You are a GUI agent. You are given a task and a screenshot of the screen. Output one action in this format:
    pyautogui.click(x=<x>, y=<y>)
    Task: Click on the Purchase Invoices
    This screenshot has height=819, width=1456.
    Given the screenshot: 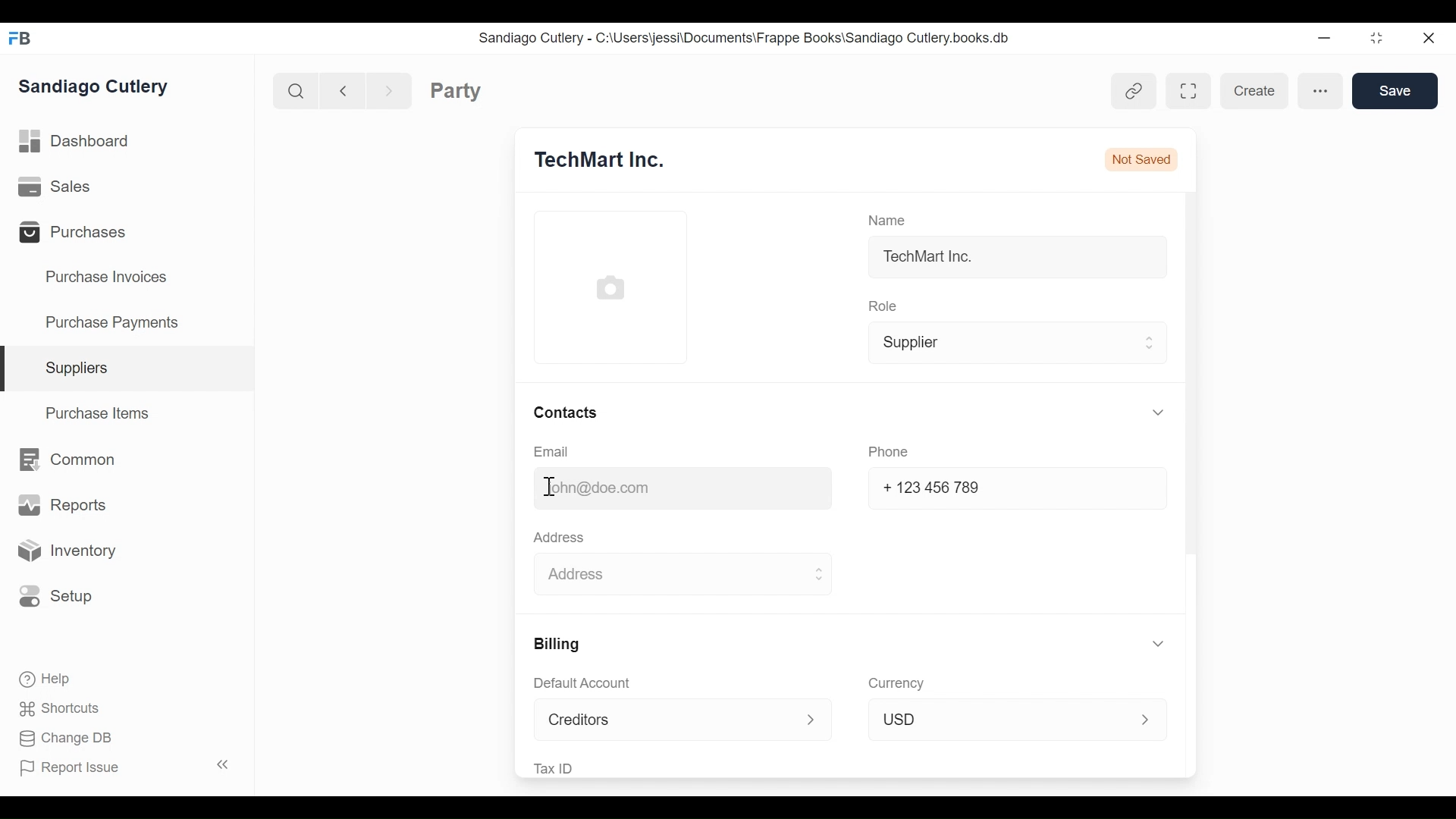 What is the action you would take?
    pyautogui.click(x=110, y=279)
    